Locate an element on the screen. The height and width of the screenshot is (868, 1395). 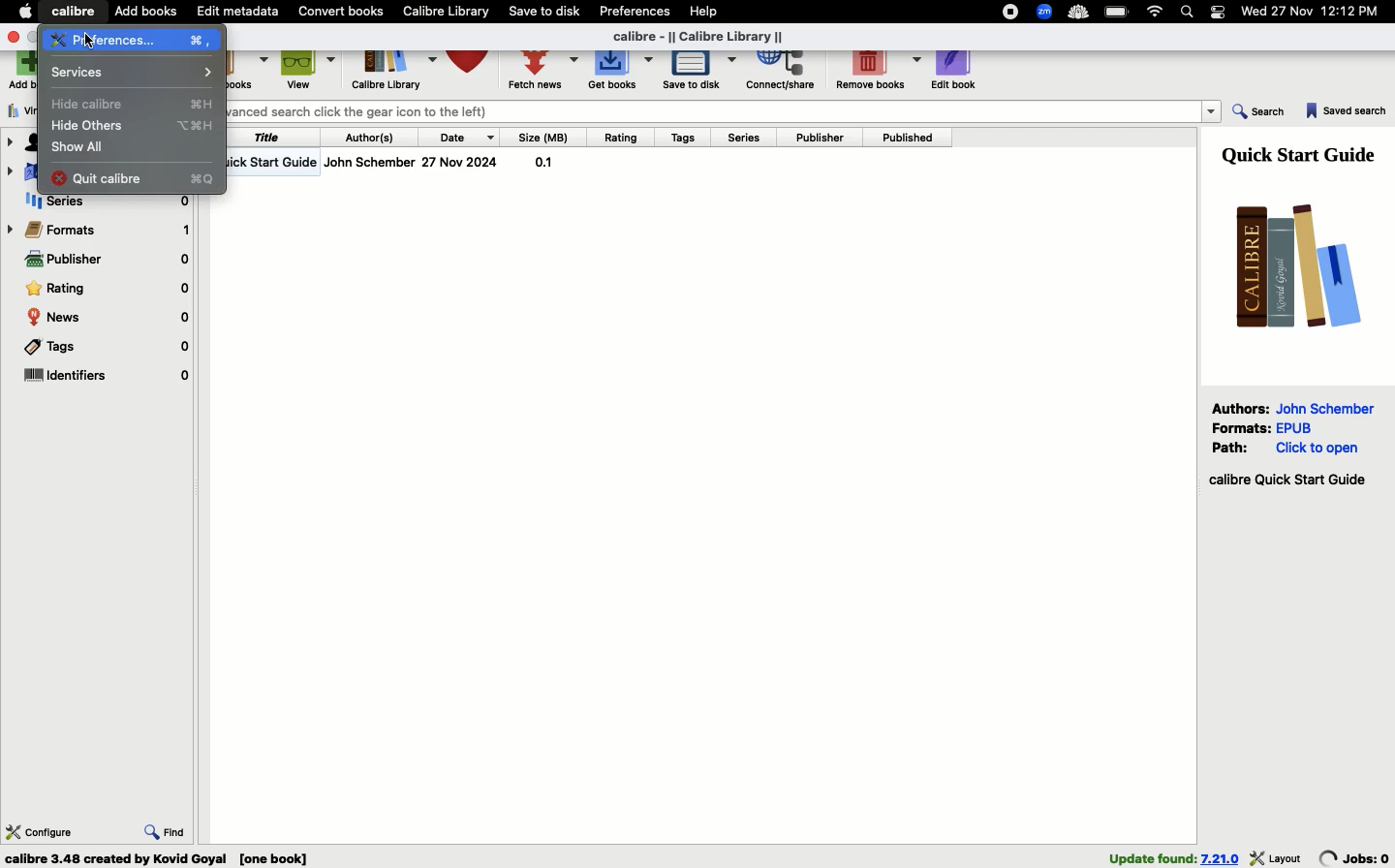
layout is located at coordinates (1277, 857).